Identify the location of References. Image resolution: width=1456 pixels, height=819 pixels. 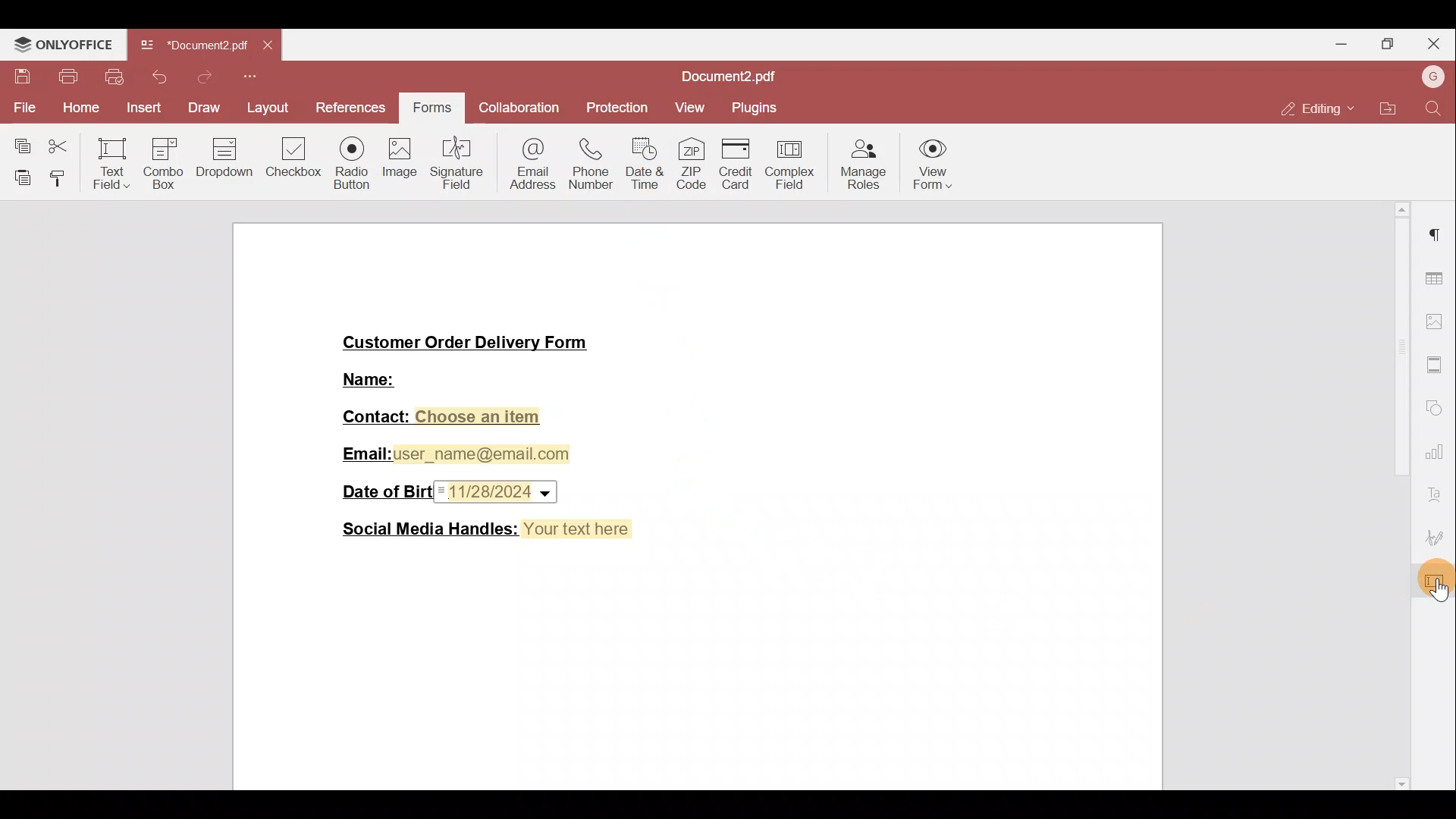
(354, 108).